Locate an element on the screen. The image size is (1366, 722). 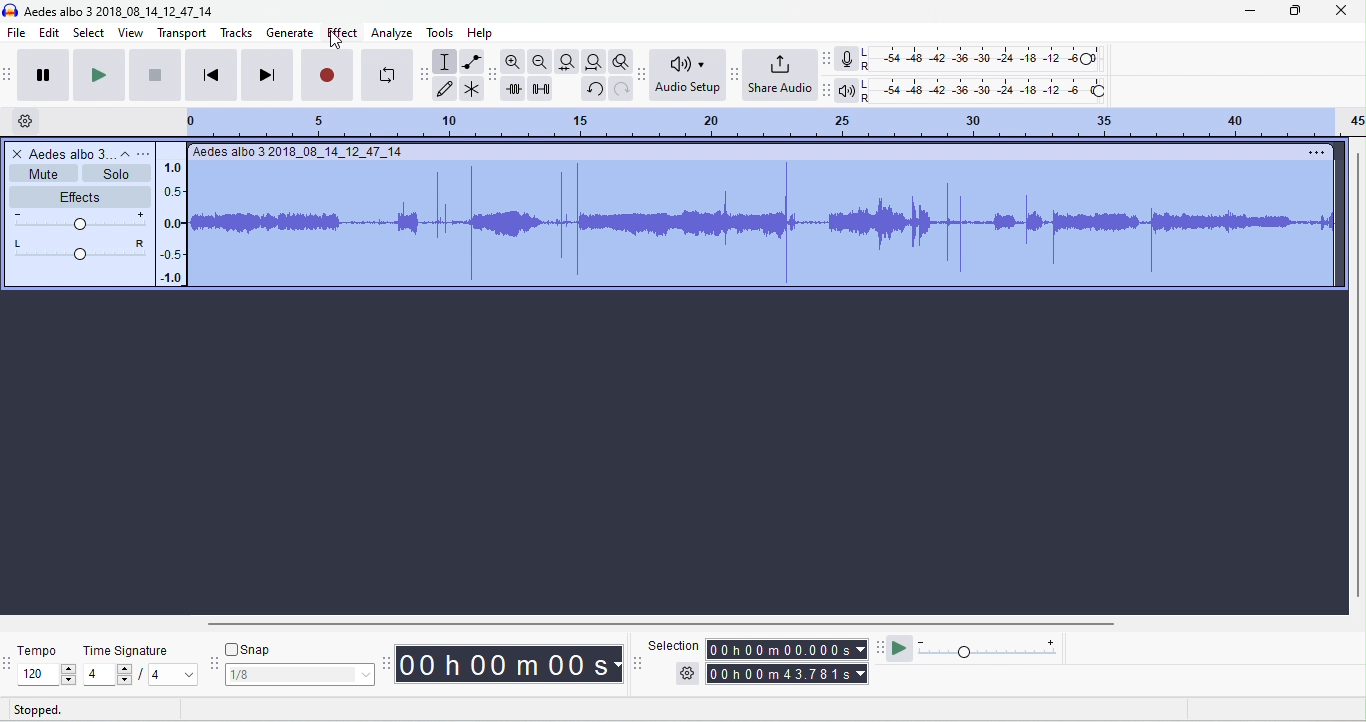
audacity edit toolbar is located at coordinates (495, 74).